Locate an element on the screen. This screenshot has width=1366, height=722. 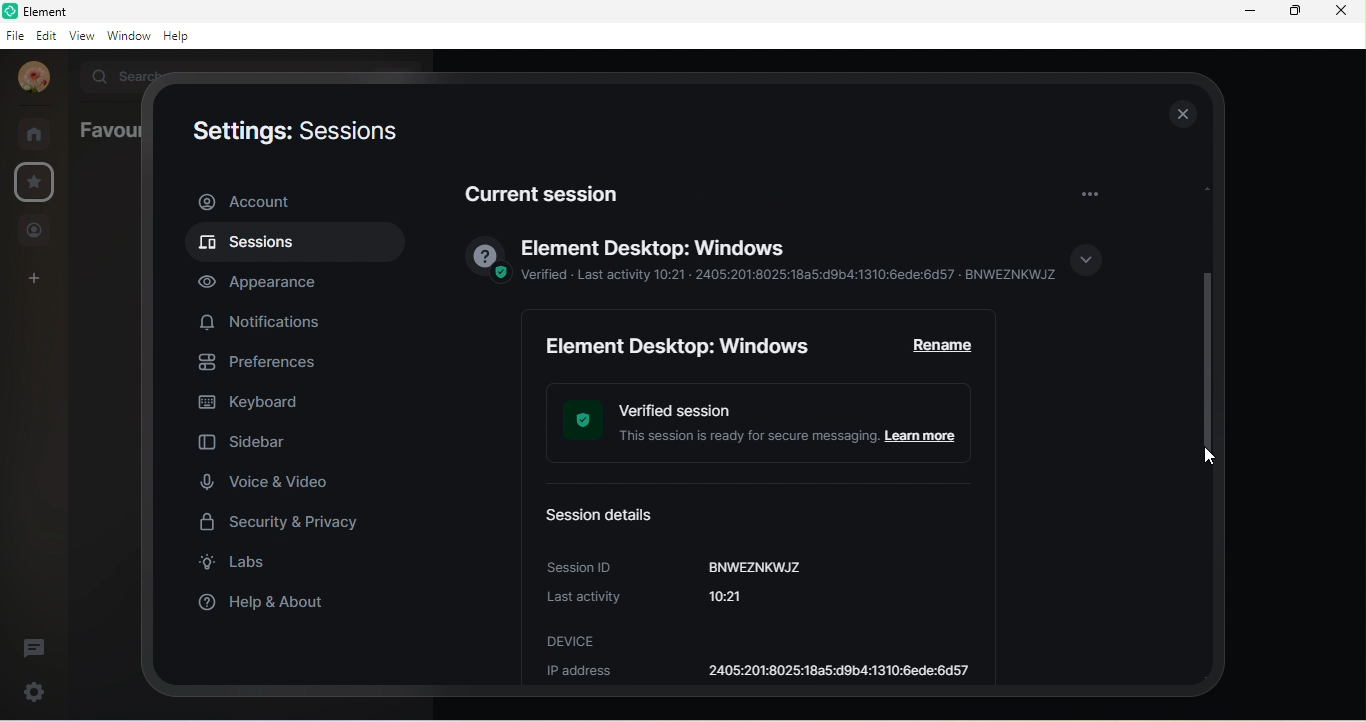
close is located at coordinates (1339, 11).